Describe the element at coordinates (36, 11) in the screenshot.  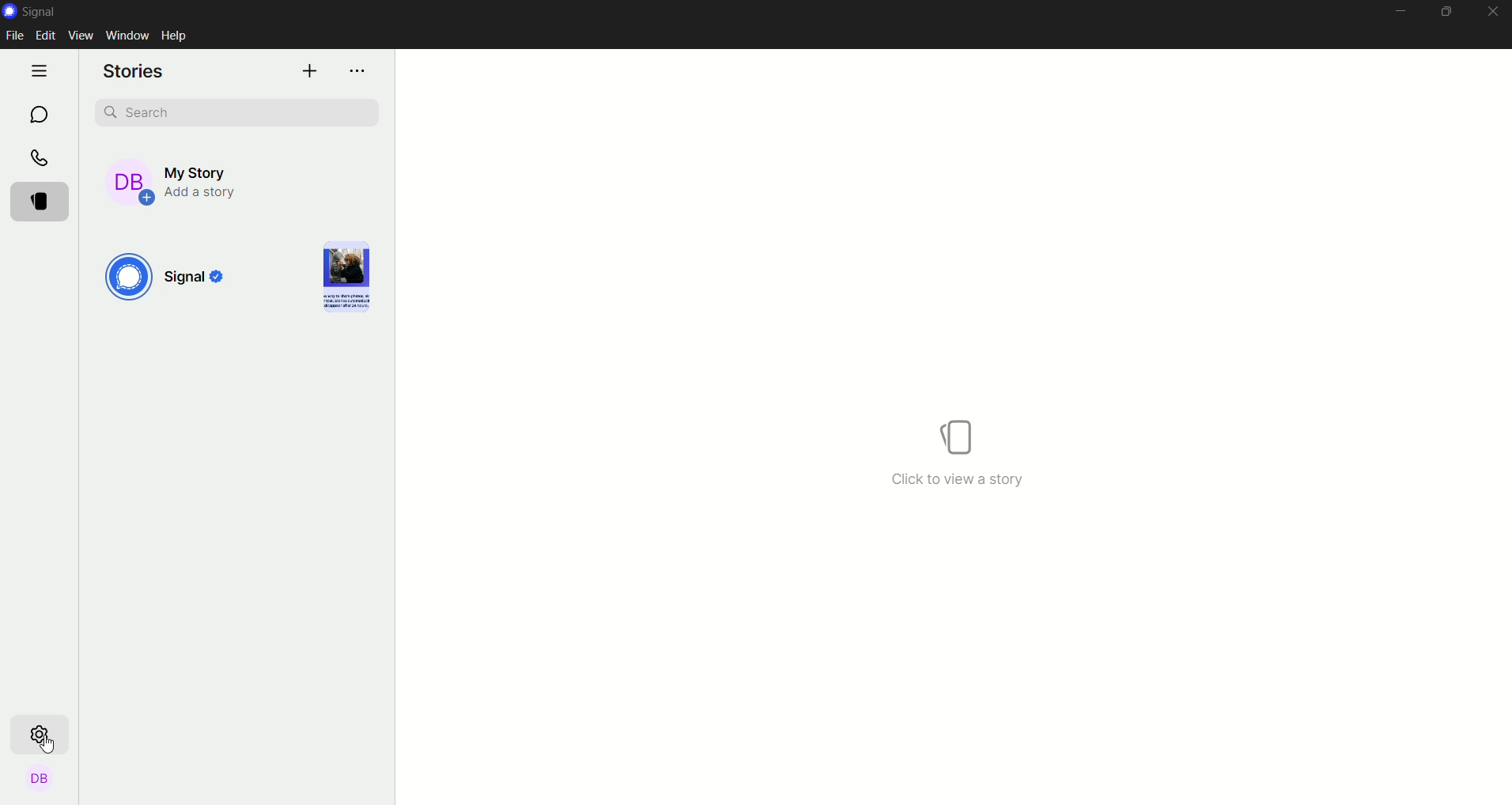
I see `signal logo` at that location.